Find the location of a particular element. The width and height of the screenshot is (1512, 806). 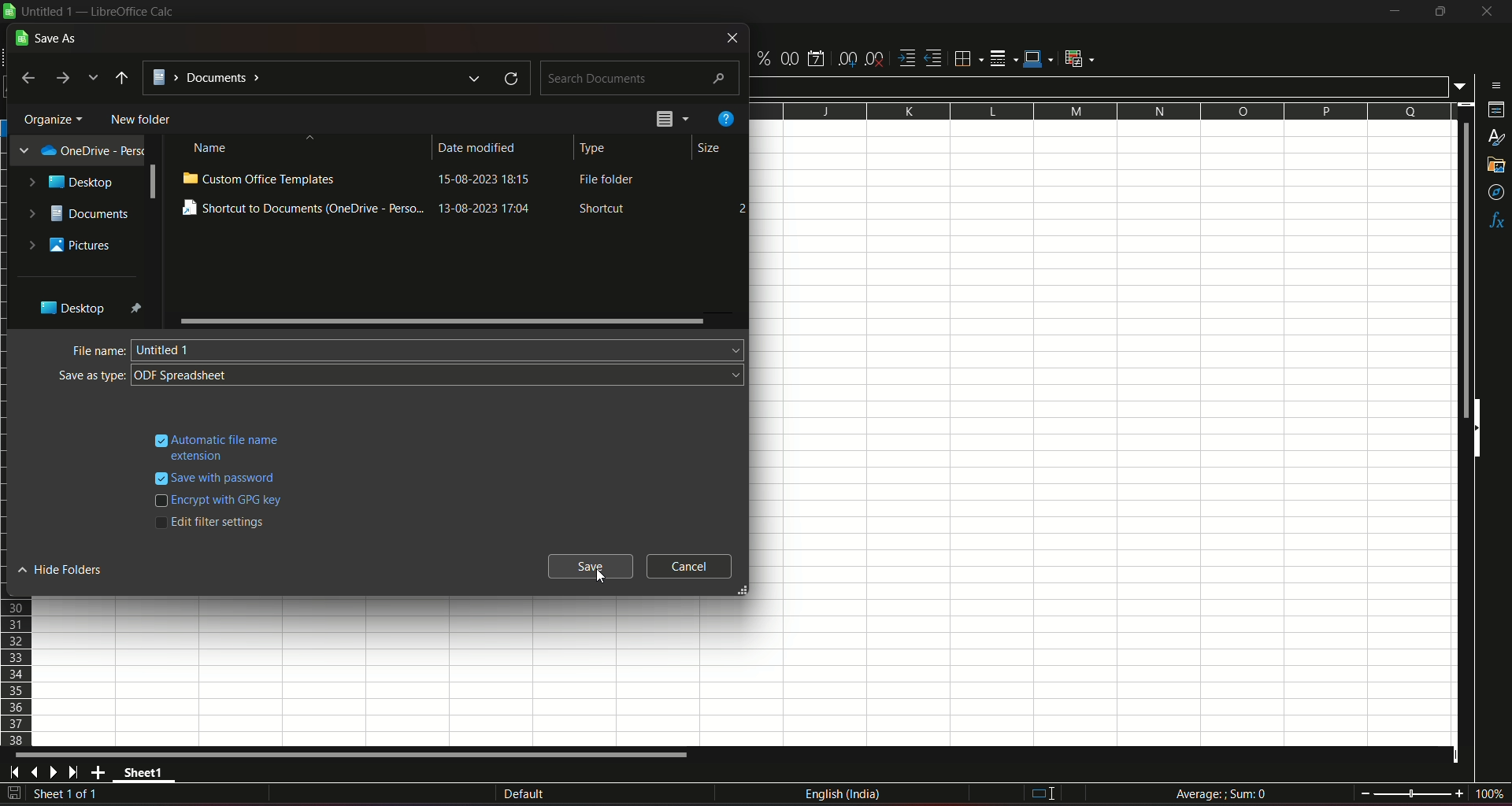

edit filter settings is located at coordinates (221, 522).